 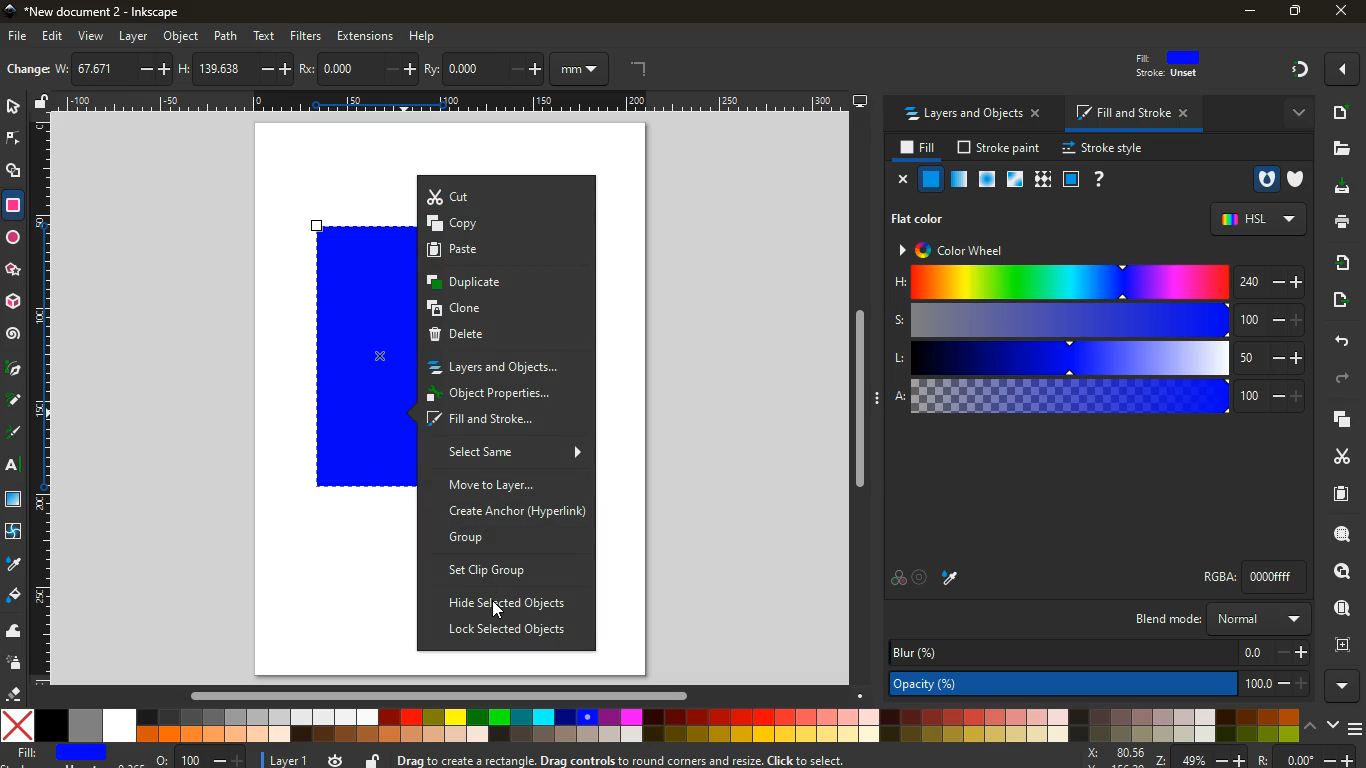 I want to click on window, so click(x=15, y=501).